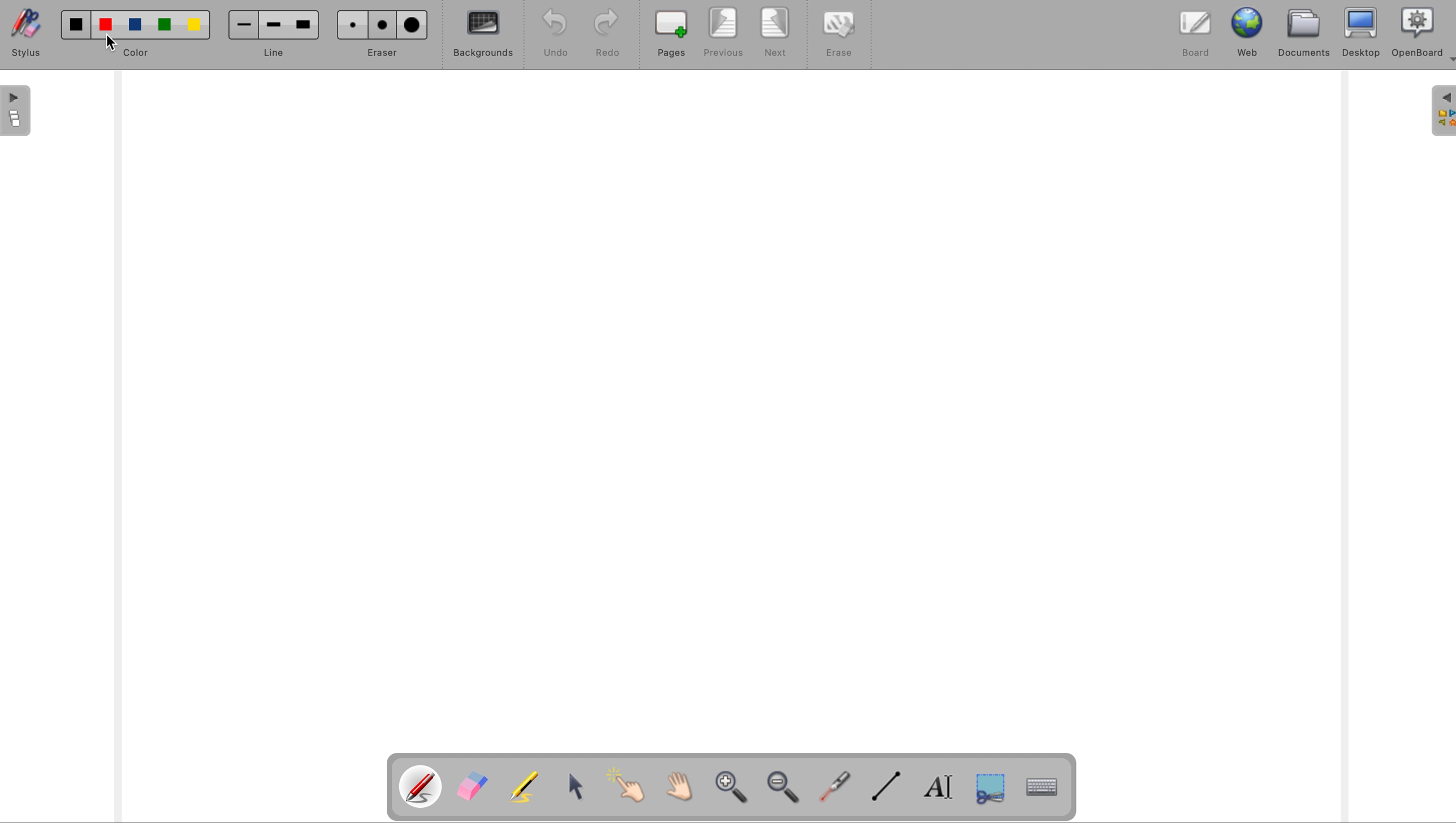 The width and height of the screenshot is (1456, 823). Describe the element at coordinates (675, 787) in the screenshot. I see `scroll by hand` at that location.